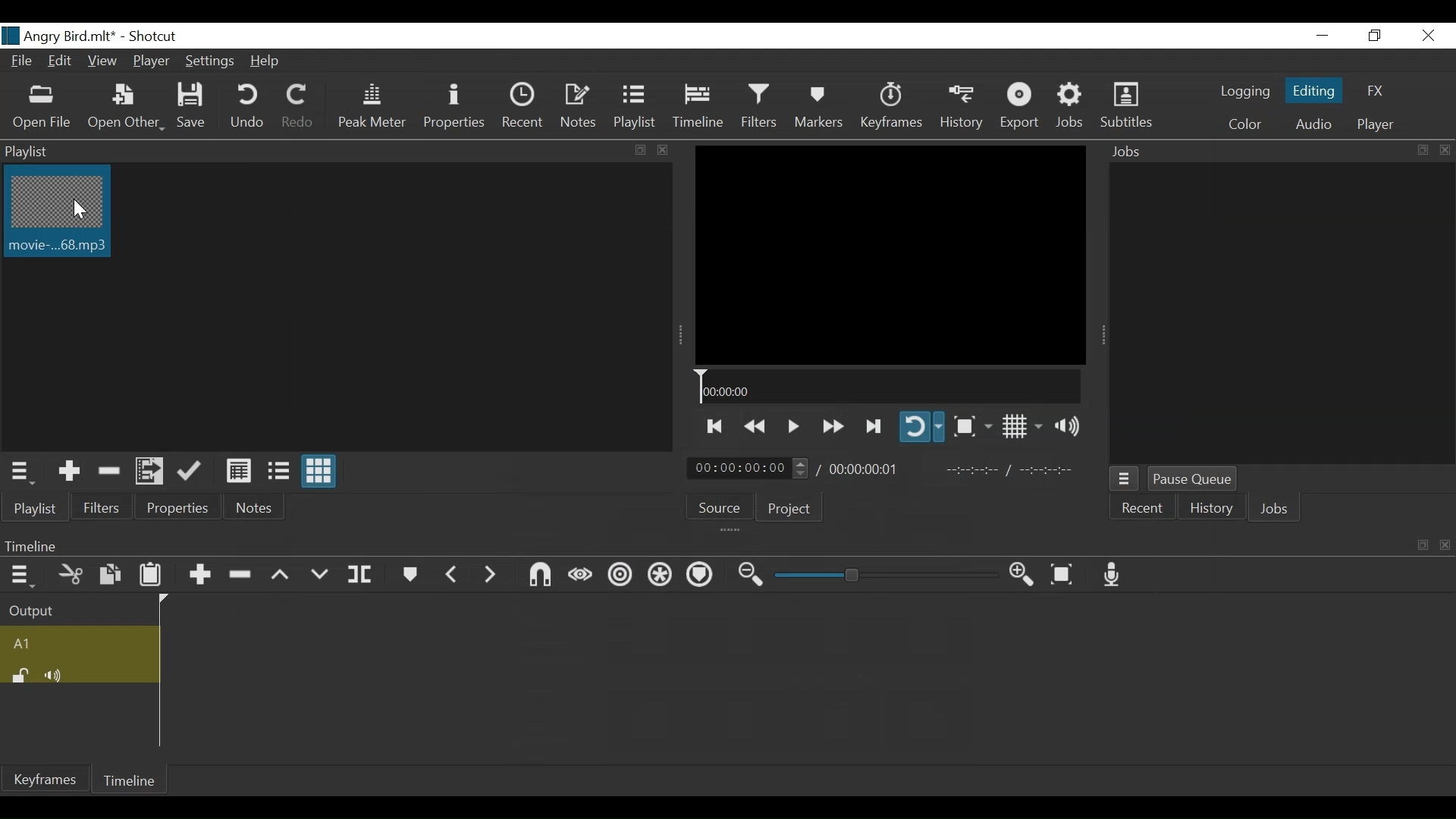 Image resolution: width=1456 pixels, height=819 pixels. Describe the element at coordinates (77, 642) in the screenshot. I see `Audi track name` at that location.